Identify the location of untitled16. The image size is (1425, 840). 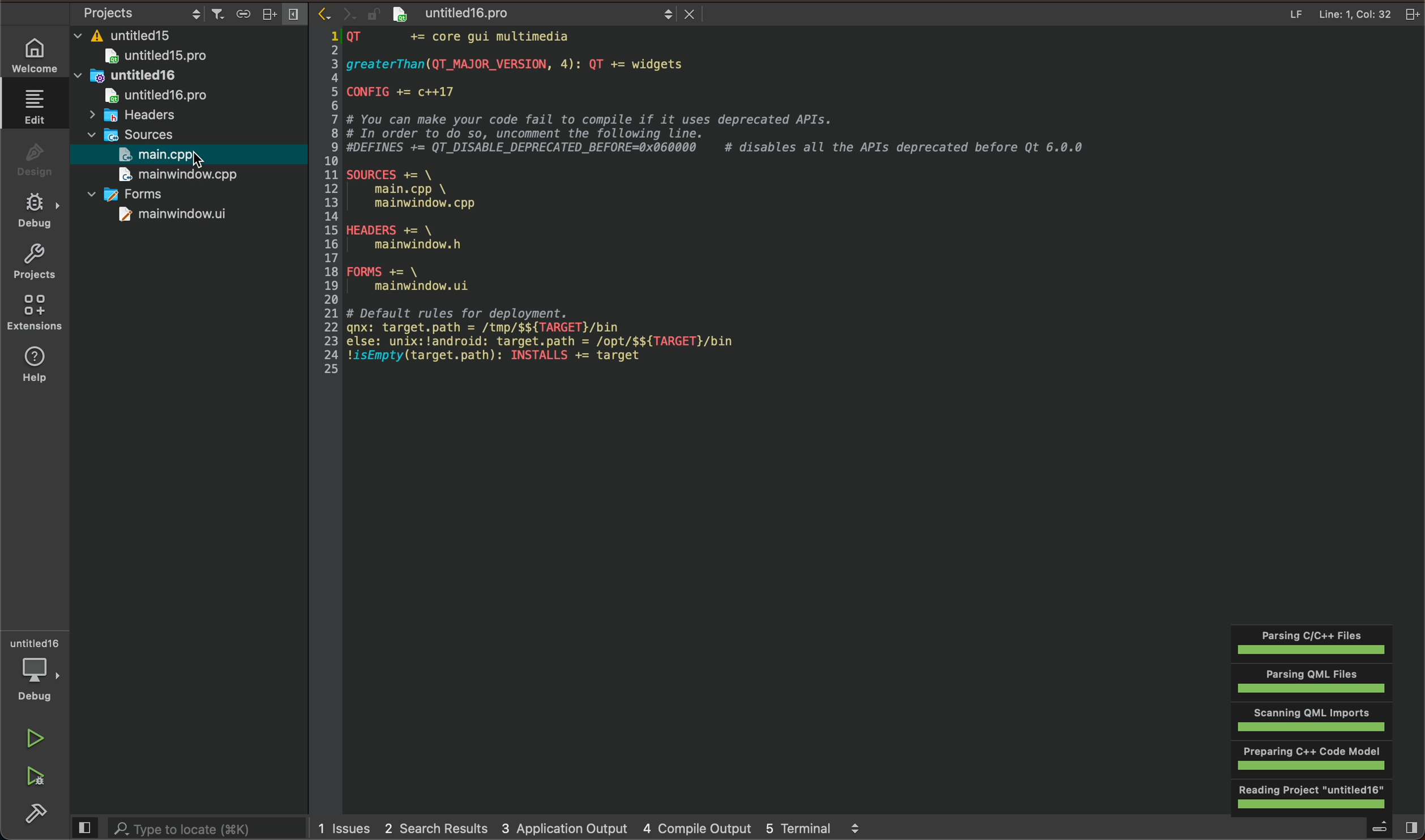
(130, 77).